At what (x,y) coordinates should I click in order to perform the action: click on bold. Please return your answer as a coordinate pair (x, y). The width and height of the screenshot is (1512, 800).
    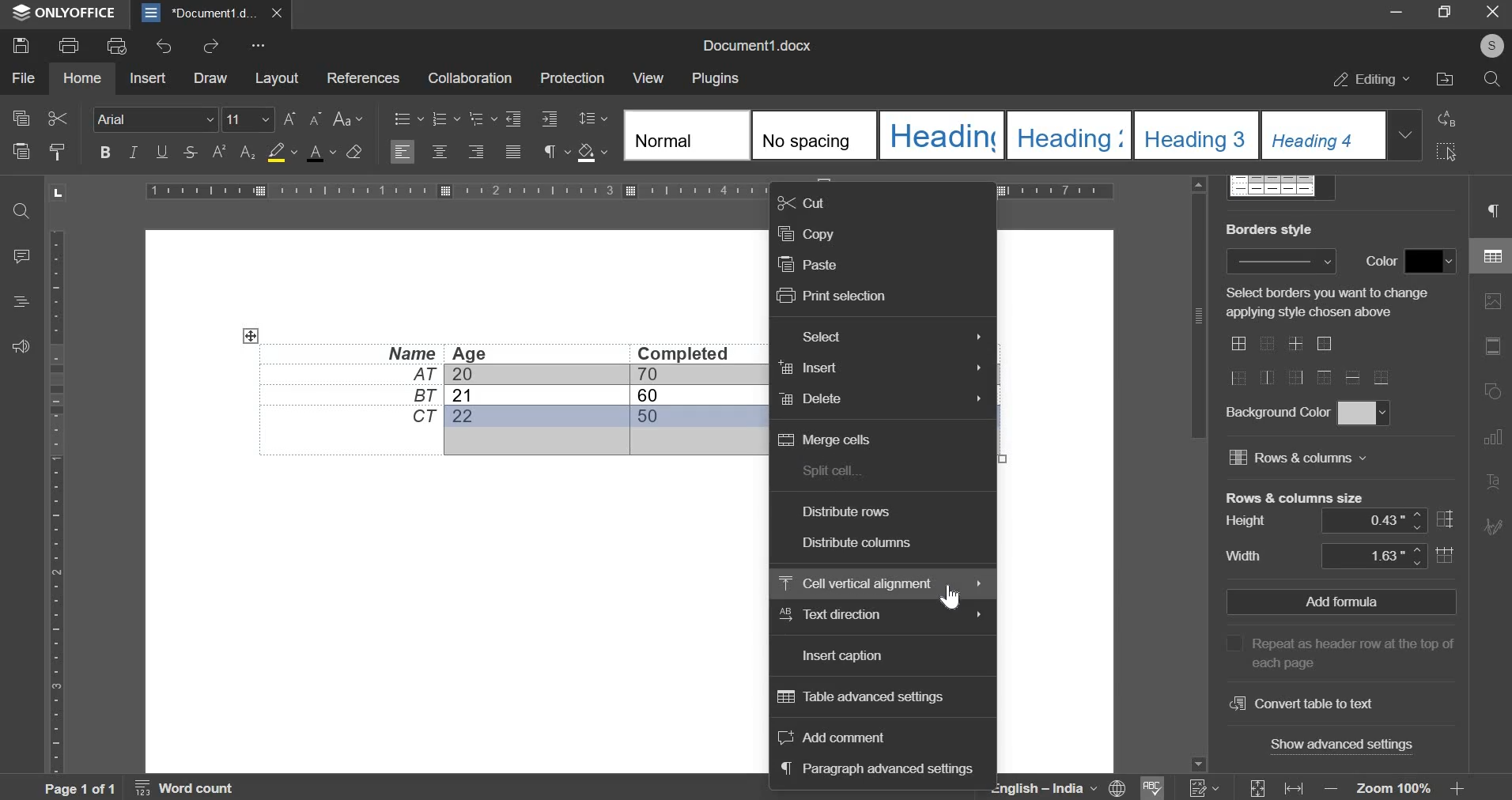
    Looking at the image, I should click on (105, 152).